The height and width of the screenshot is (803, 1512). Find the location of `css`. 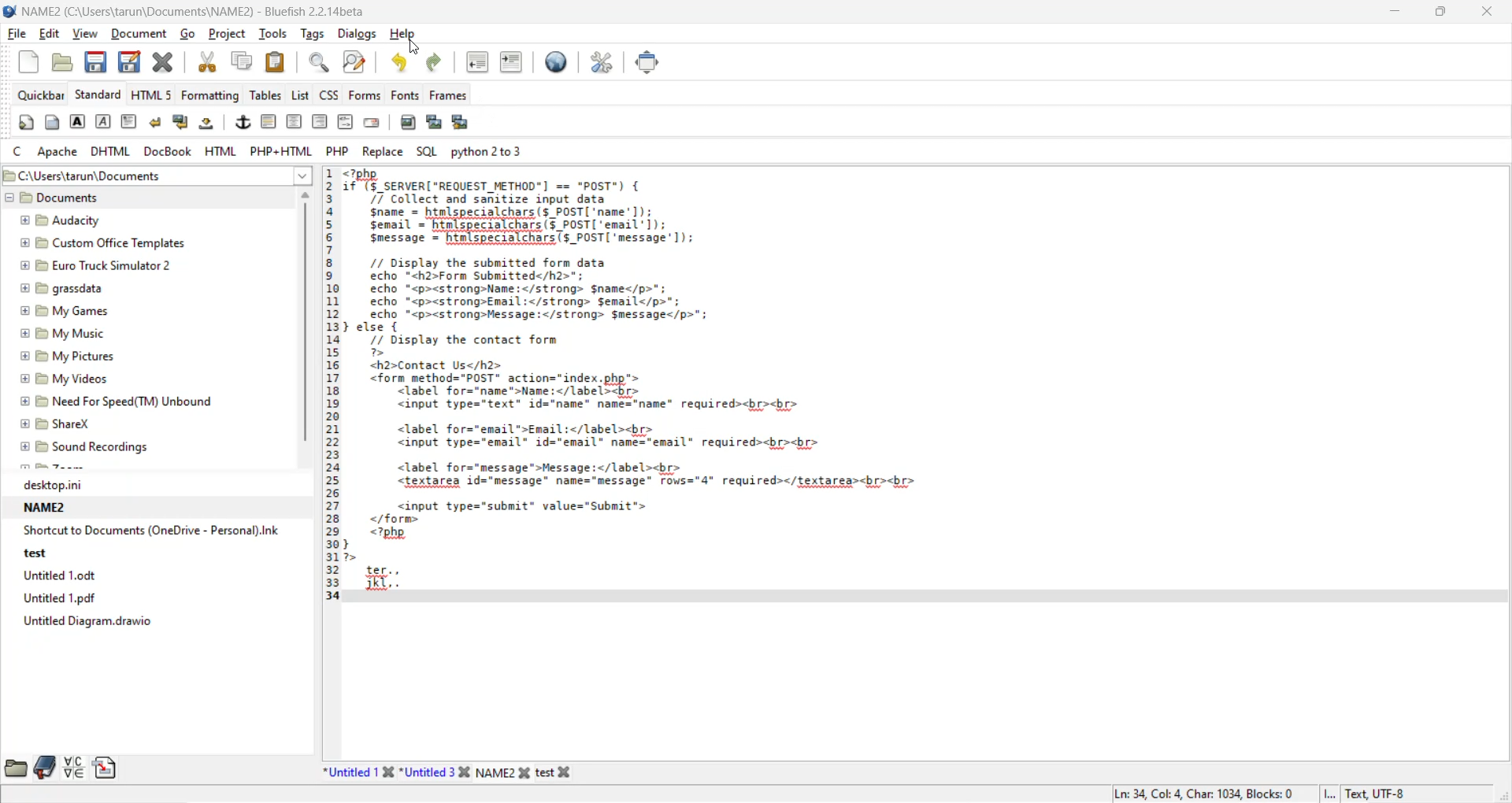

css is located at coordinates (327, 94).